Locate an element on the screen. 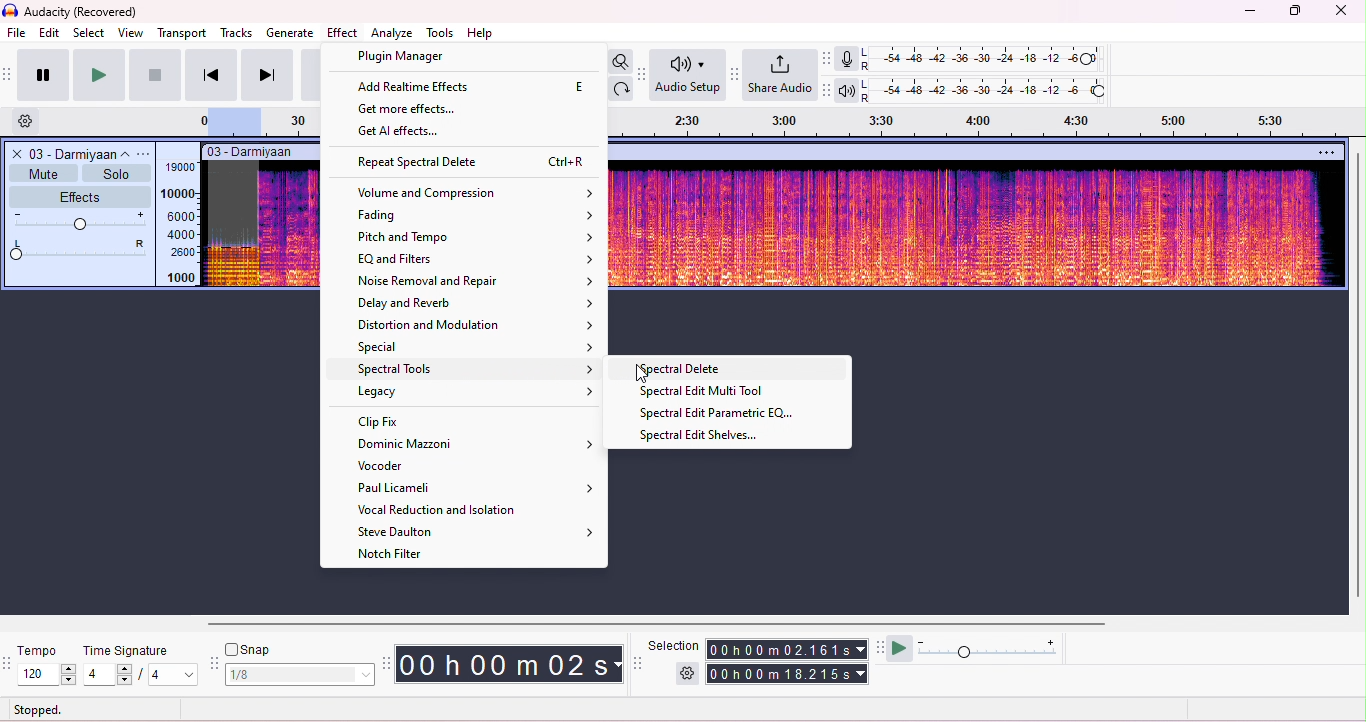 The height and width of the screenshot is (722, 1366). record meter toolbar is located at coordinates (828, 58).